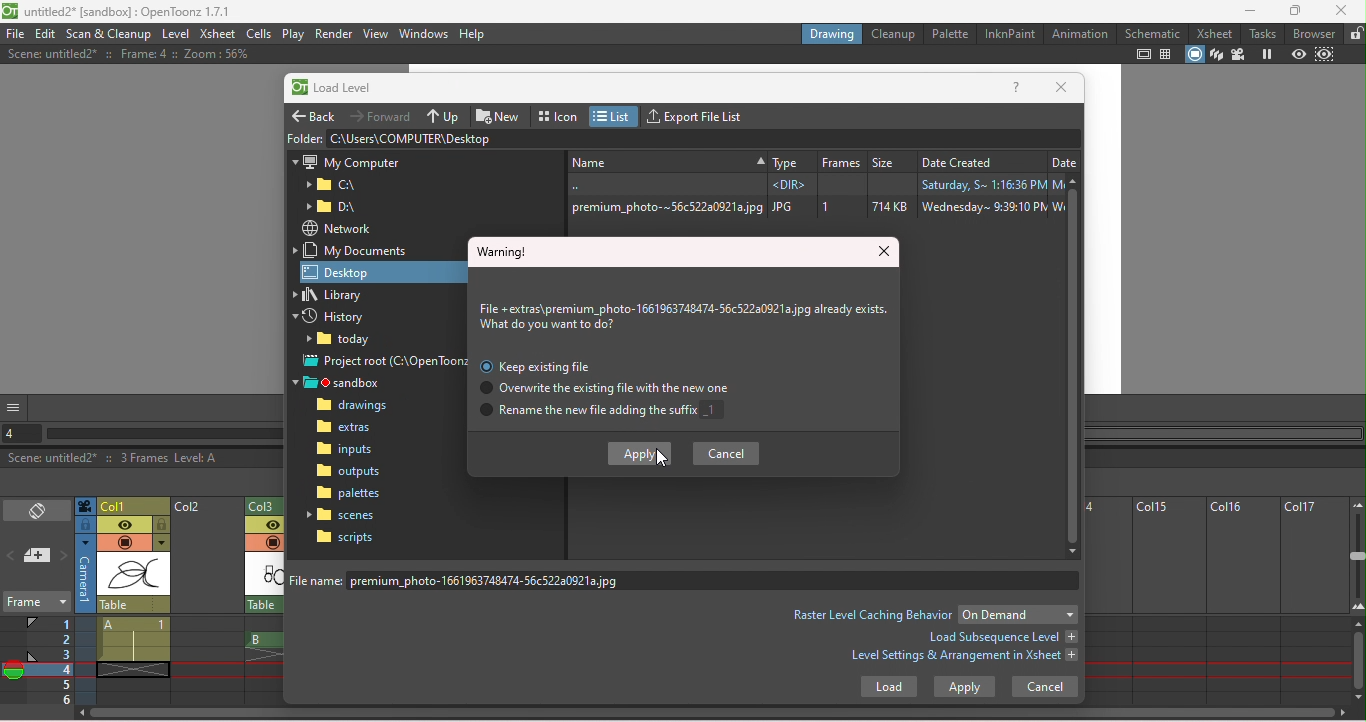 The height and width of the screenshot is (722, 1366). What do you see at coordinates (473, 33) in the screenshot?
I see `Help` at bounding box center [473, 33].